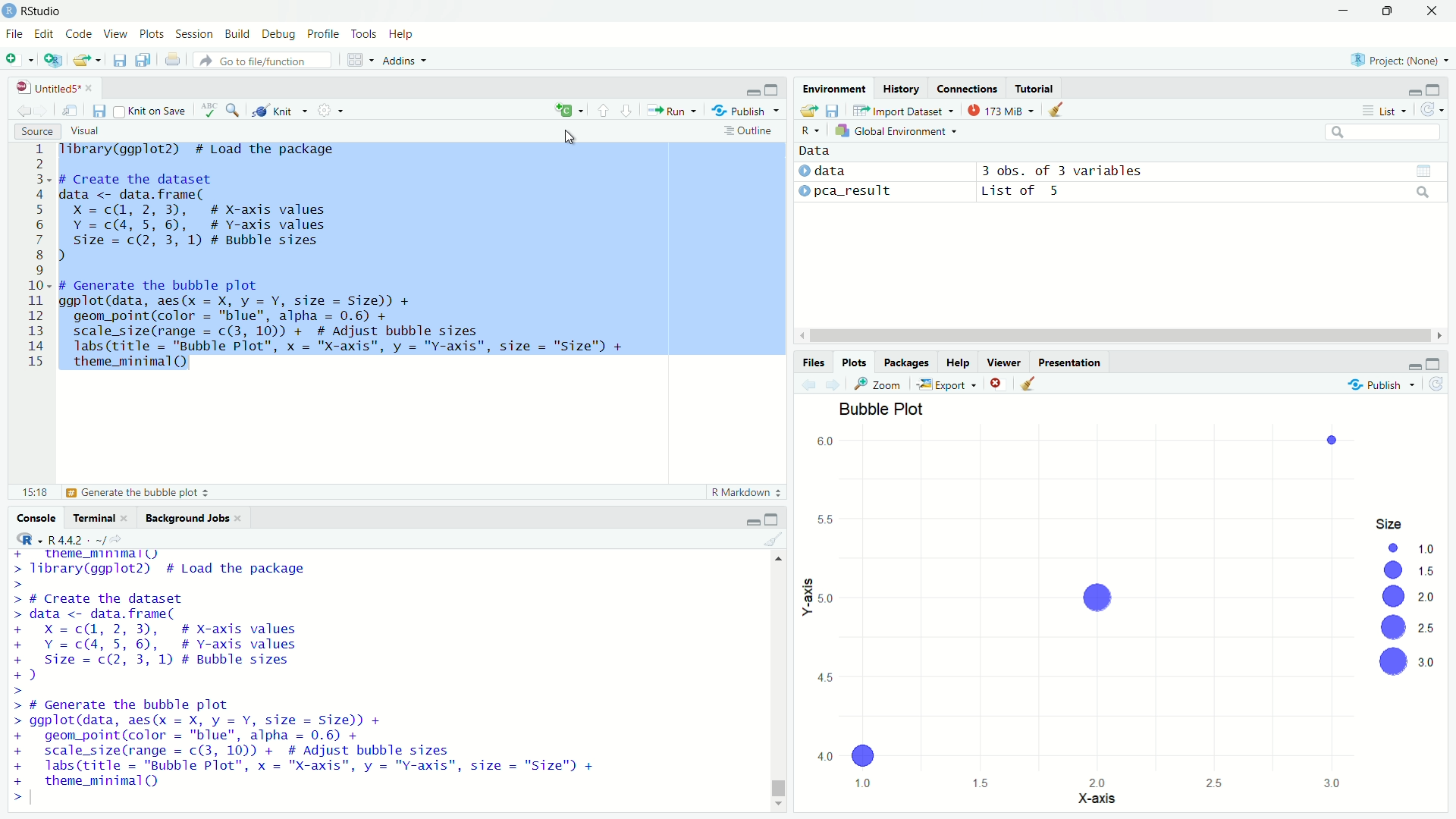  Describe the element at coordinates (1385, 11) in the screenshot. I see `maximize` at that location.